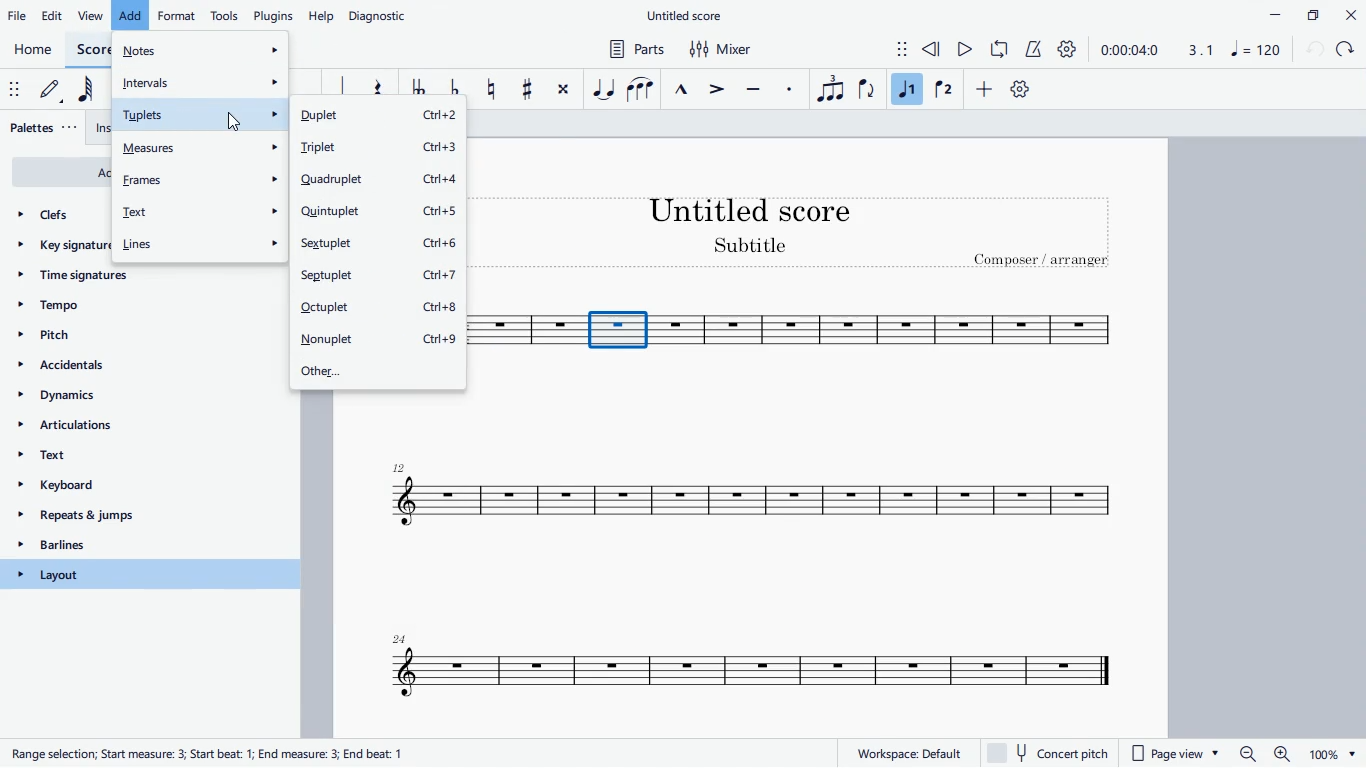 This screenshot has height=768, width=1366. Describe the element at coordinates (34, 51) in the screenshot. I see `home` at that location.